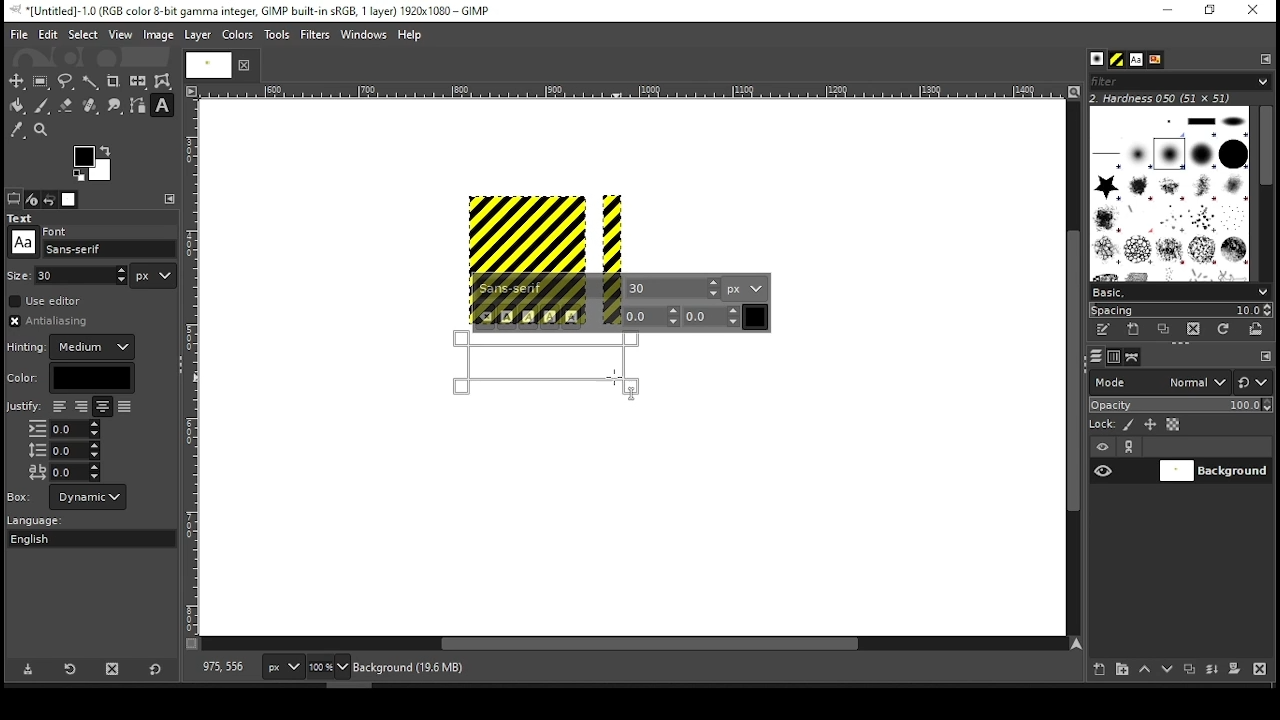  What do you see at coordinates (629, 92) in the screenshot?
I see `` at bounding box center [629, 92].